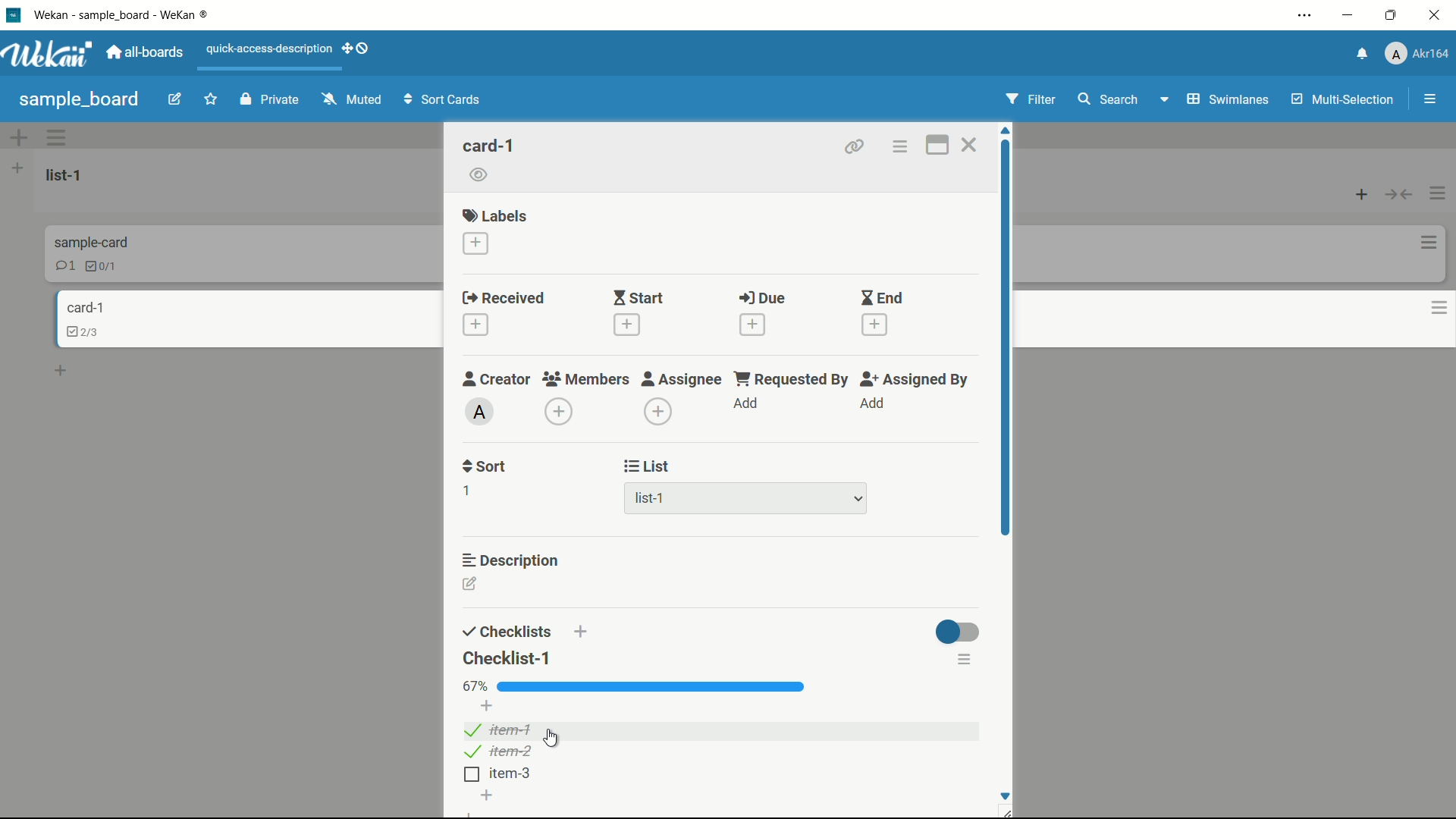  What do you see at coordinates (499, 730) in the screenshot?
I see `item-1` at bounding box center [499, 730].